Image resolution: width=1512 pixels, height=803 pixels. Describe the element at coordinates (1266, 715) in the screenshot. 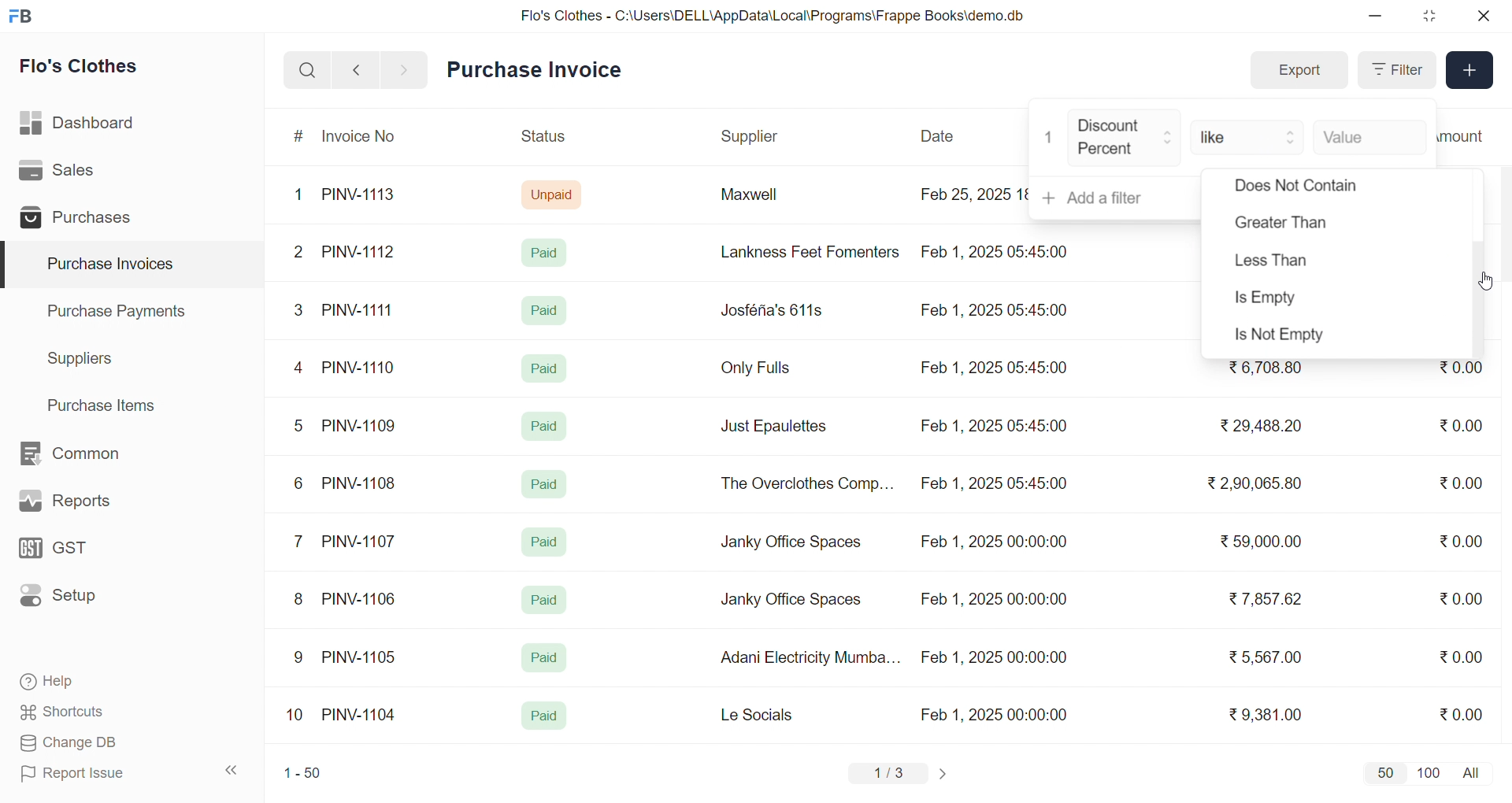

I see `₹9,381.00` at that location.